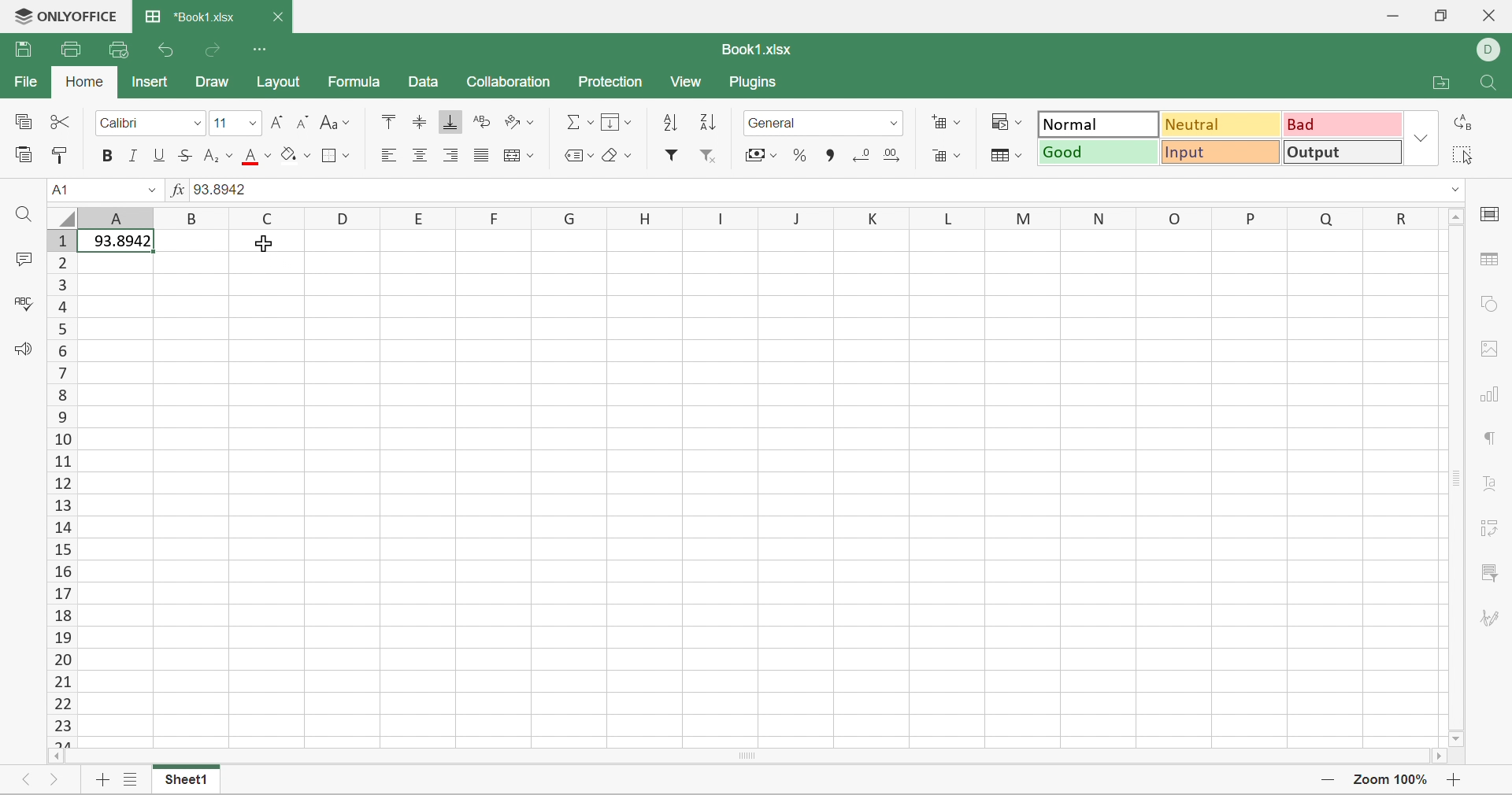  What do you see at coordinates (256, 157) in the screenshot?
I see `Font color` at bounding box center [256, 157].